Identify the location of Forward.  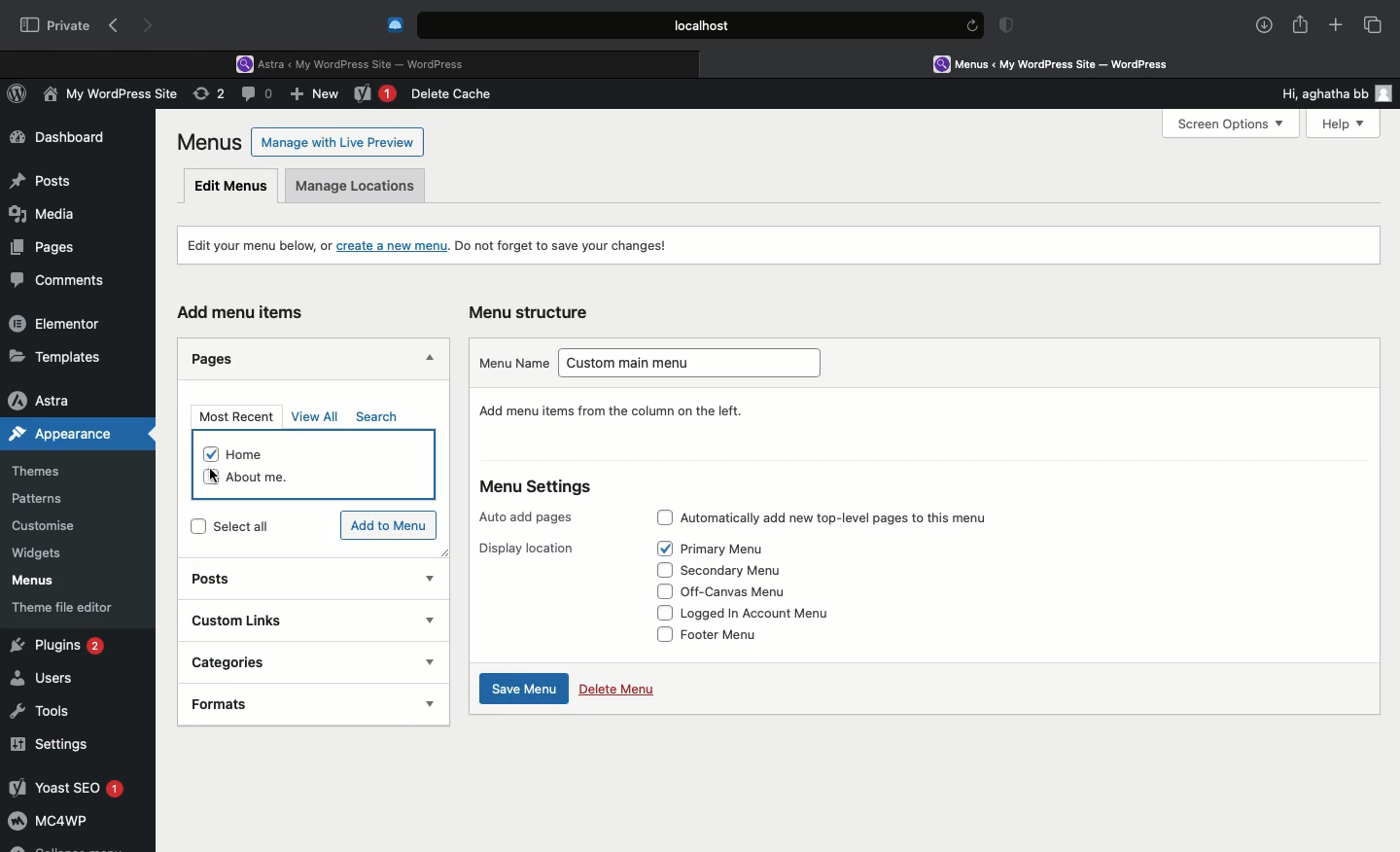
(151, 25).